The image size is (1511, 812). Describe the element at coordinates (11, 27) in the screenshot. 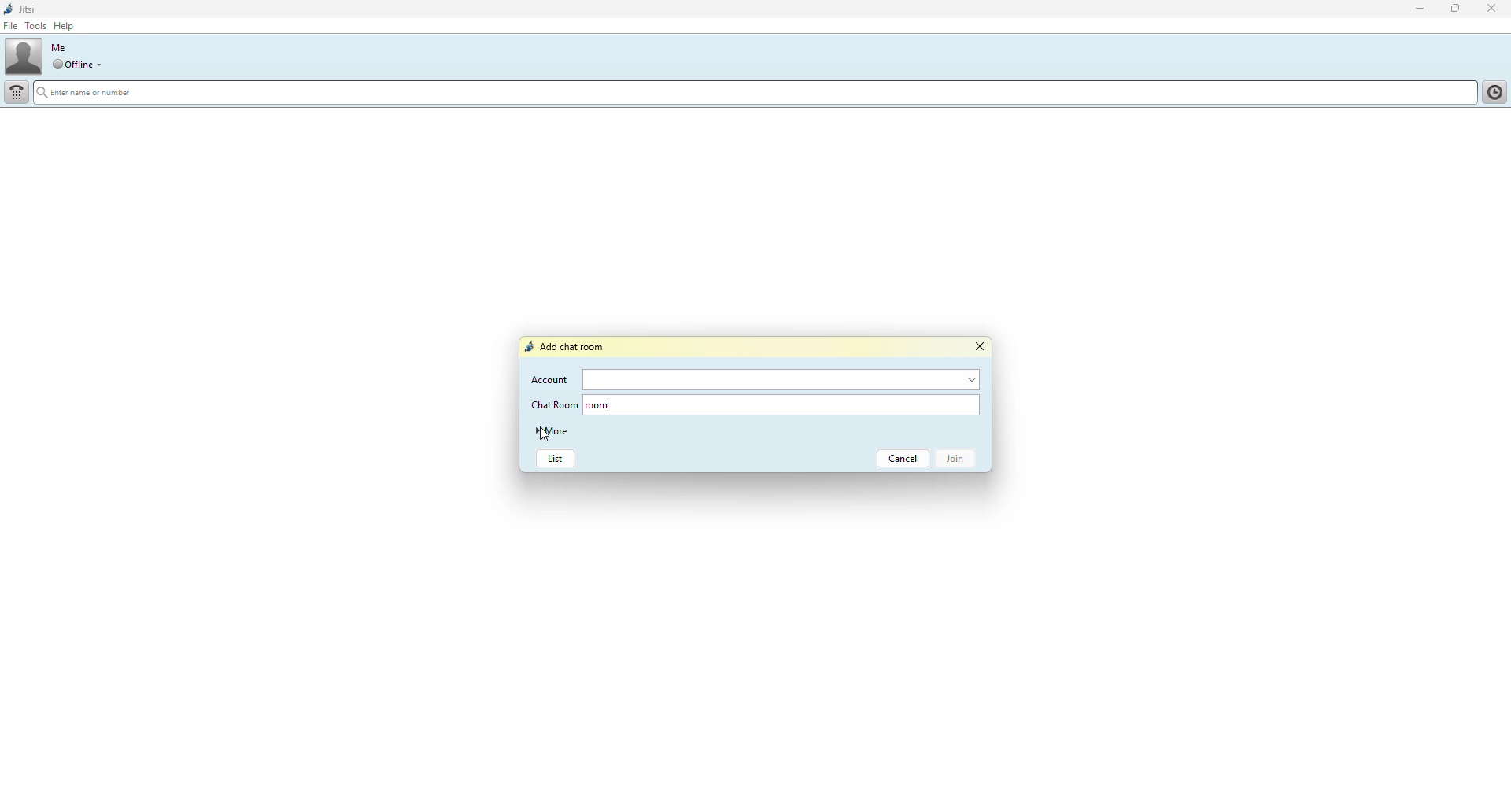

I see `file` at that location.